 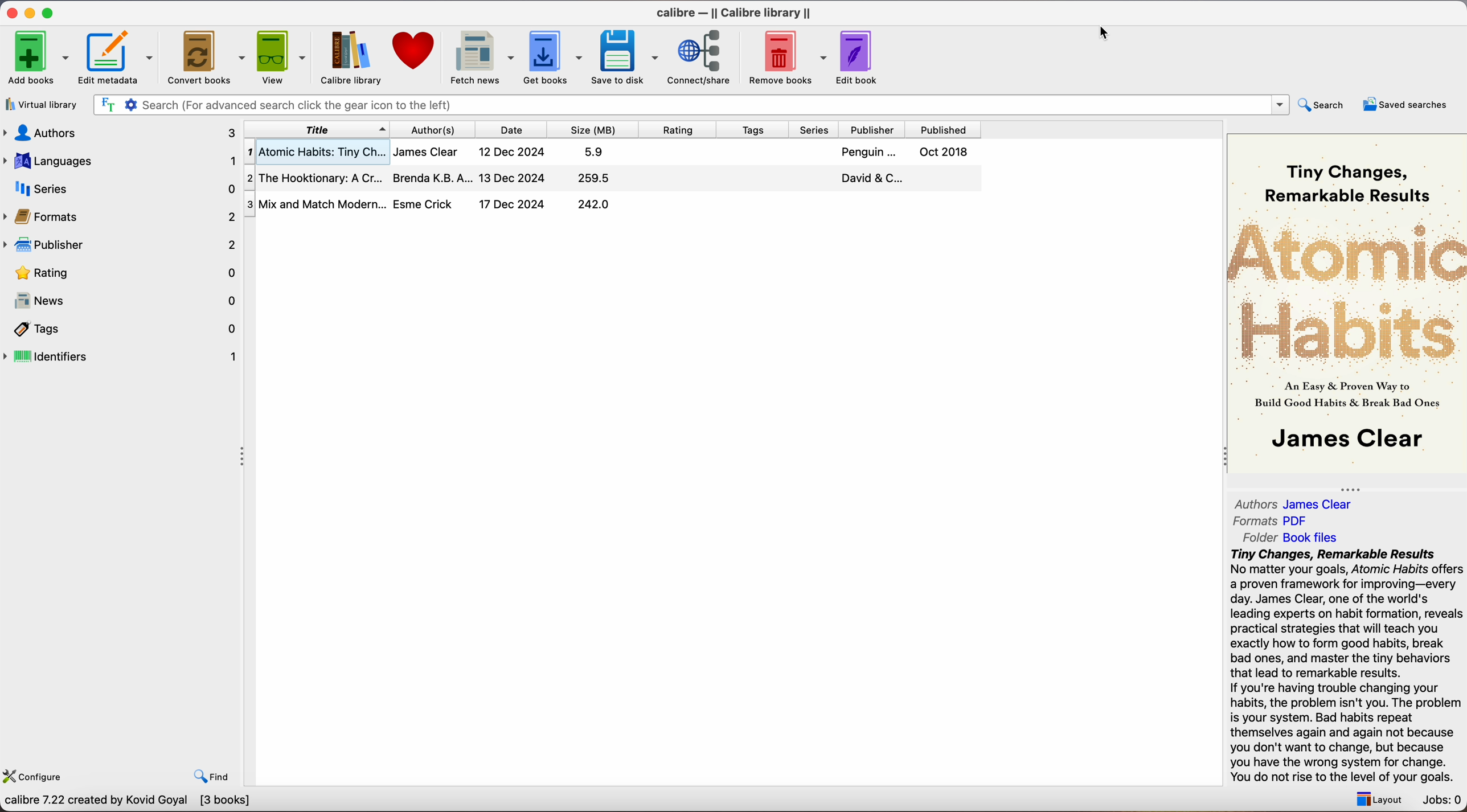 I want to click on edit metadata, so click(x=119, y=59).